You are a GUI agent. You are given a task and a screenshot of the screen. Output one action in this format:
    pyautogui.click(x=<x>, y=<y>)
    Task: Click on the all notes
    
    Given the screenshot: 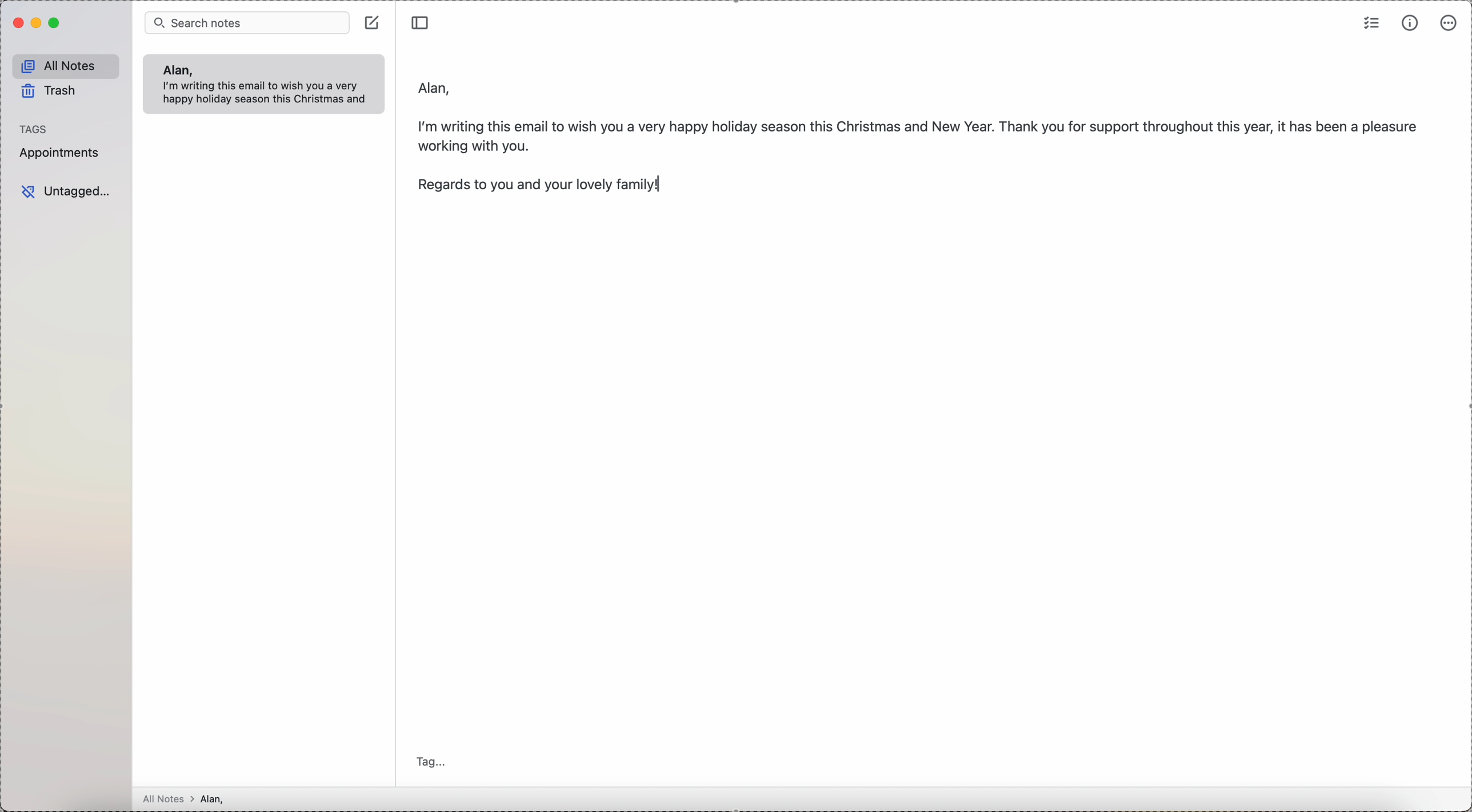 What is the action you would take?
    pyautogui.click(x=66, y=66)
    